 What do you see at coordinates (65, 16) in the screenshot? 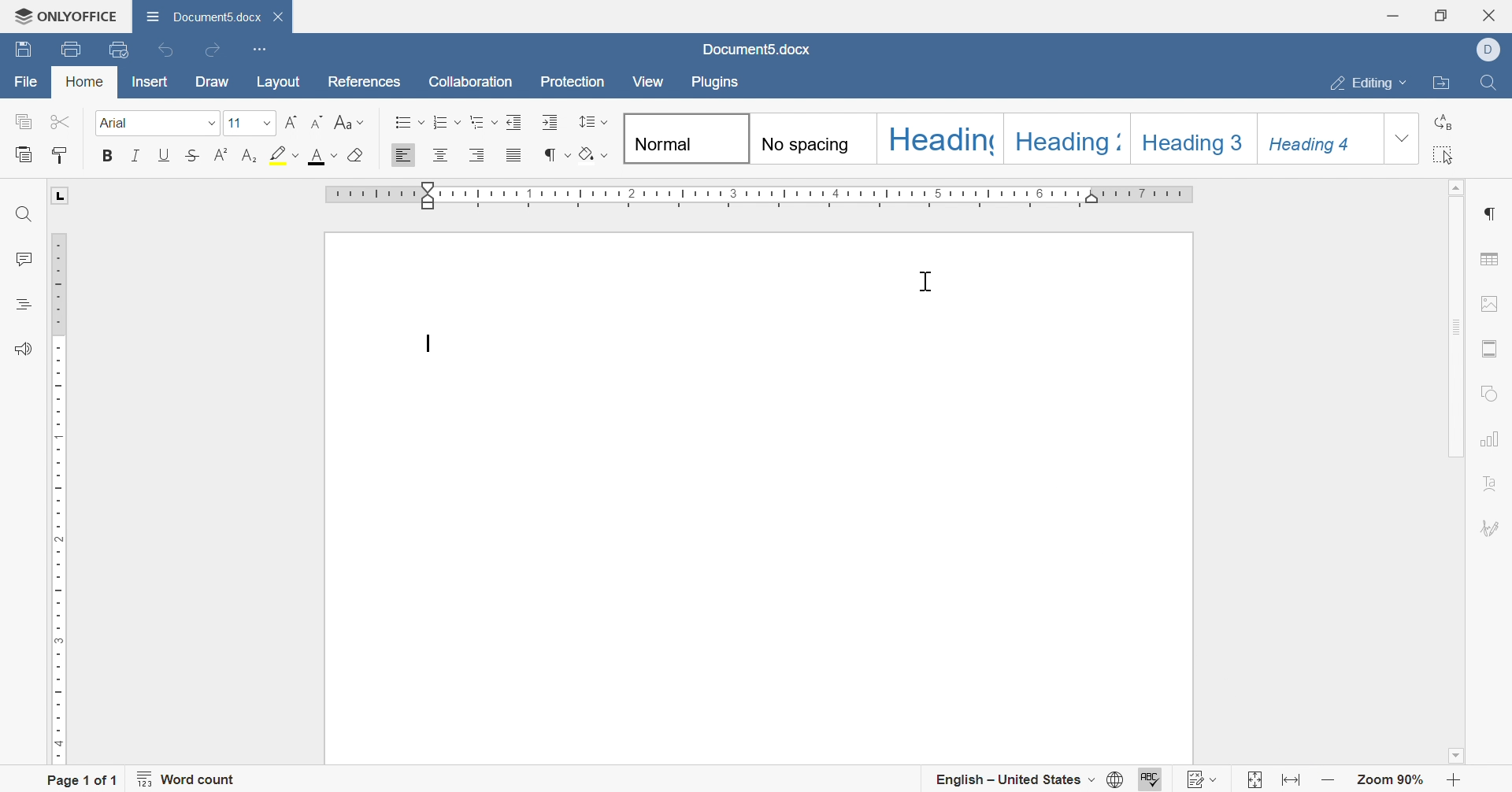
I see `ONLYOFFICE` at bounding box center [65, 16].